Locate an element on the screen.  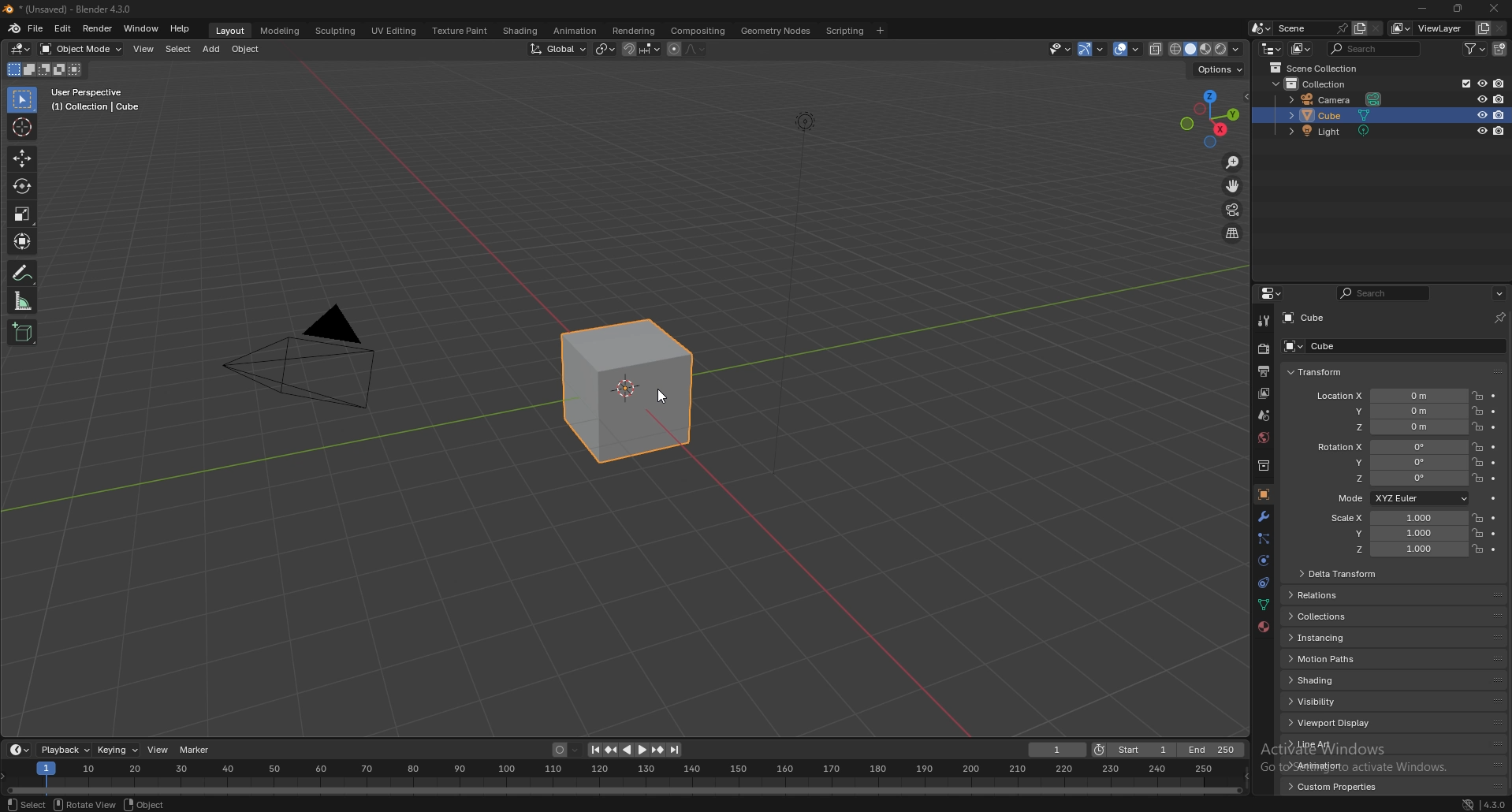
show overlays is located at coordinates (1130, 50).